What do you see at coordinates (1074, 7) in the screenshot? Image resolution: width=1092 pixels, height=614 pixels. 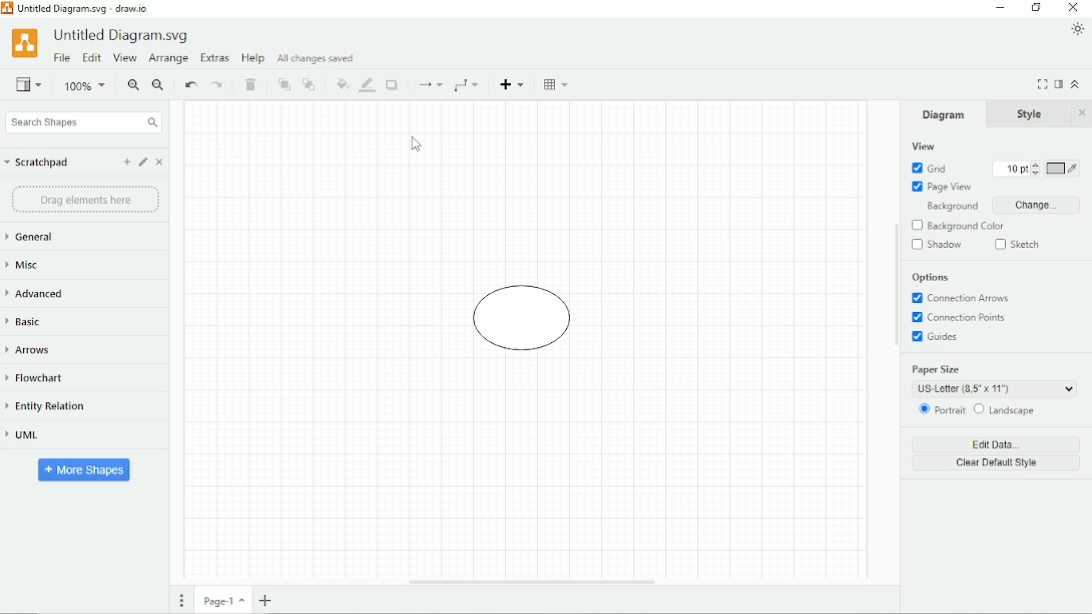 I see `Close` at bounding box center [1074, 7].